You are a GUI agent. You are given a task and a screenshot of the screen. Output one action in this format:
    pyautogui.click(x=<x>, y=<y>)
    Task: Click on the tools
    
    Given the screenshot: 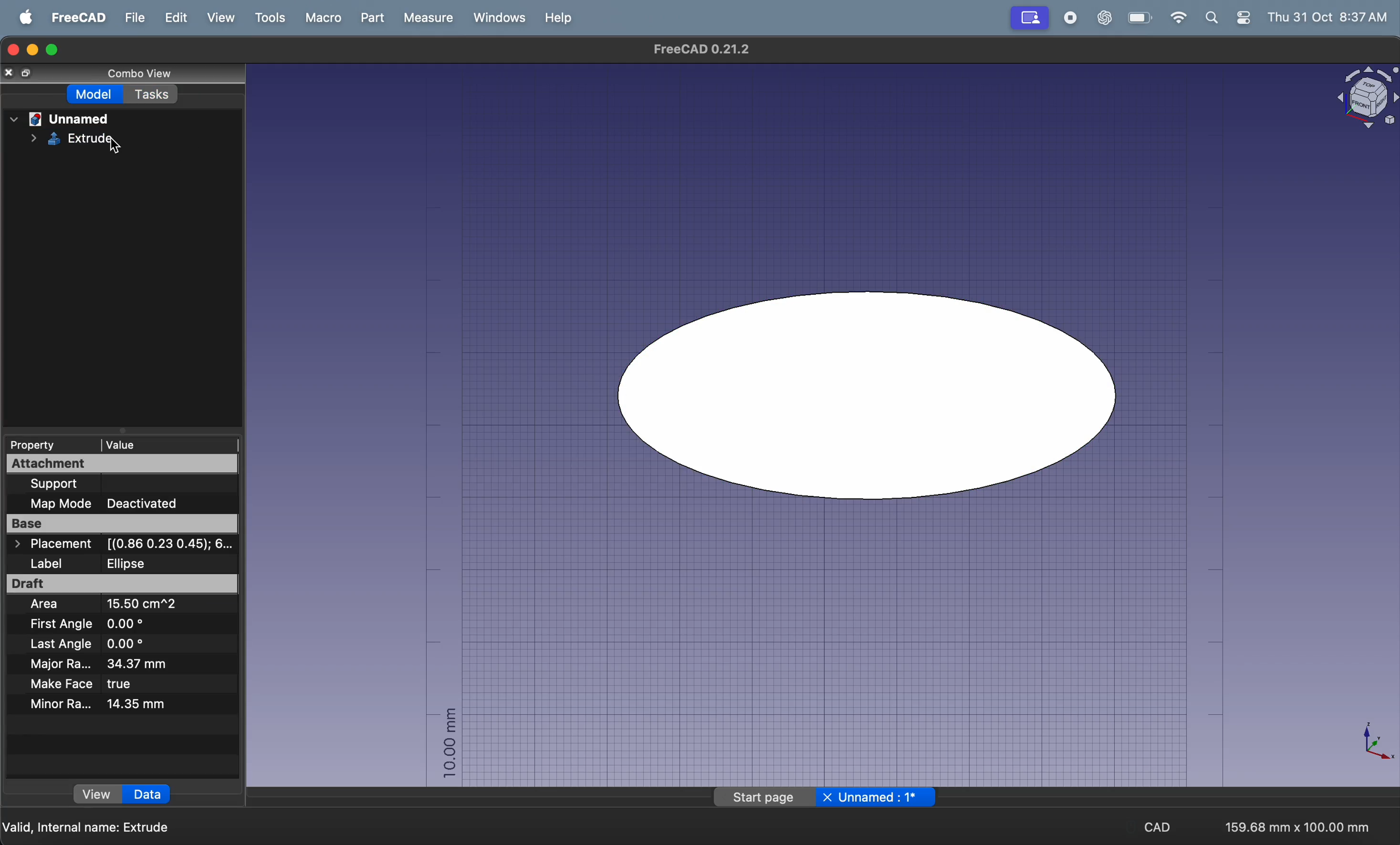 What is the action you would take?
    pyautogui.click(x=266, y=18)
    